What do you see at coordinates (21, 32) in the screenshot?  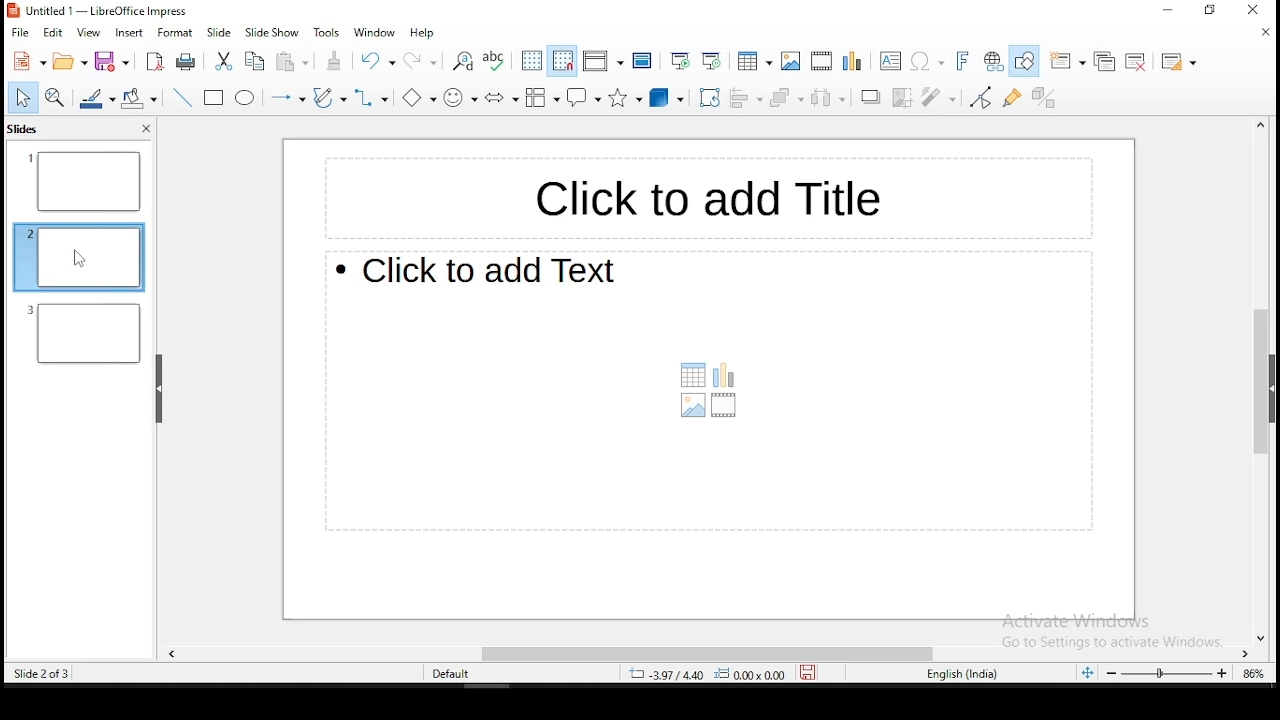 I see `file` at bounding box center [21, 32].